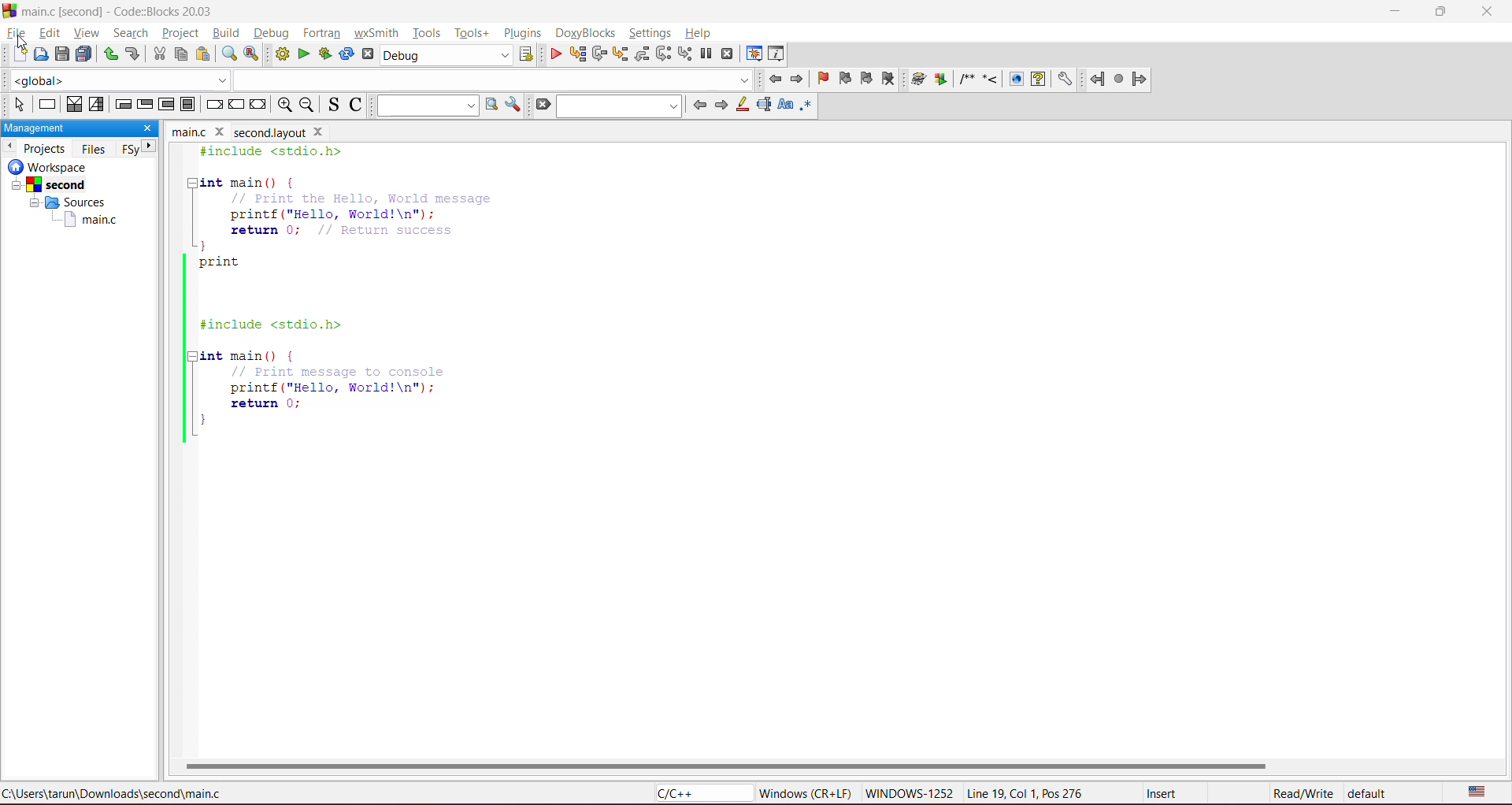 The width and height of the screenshot is (1512, 805). What do you see at coordinates (48, 104) in the screenshot?
I see `instruction` at bounding box center [48, 104].